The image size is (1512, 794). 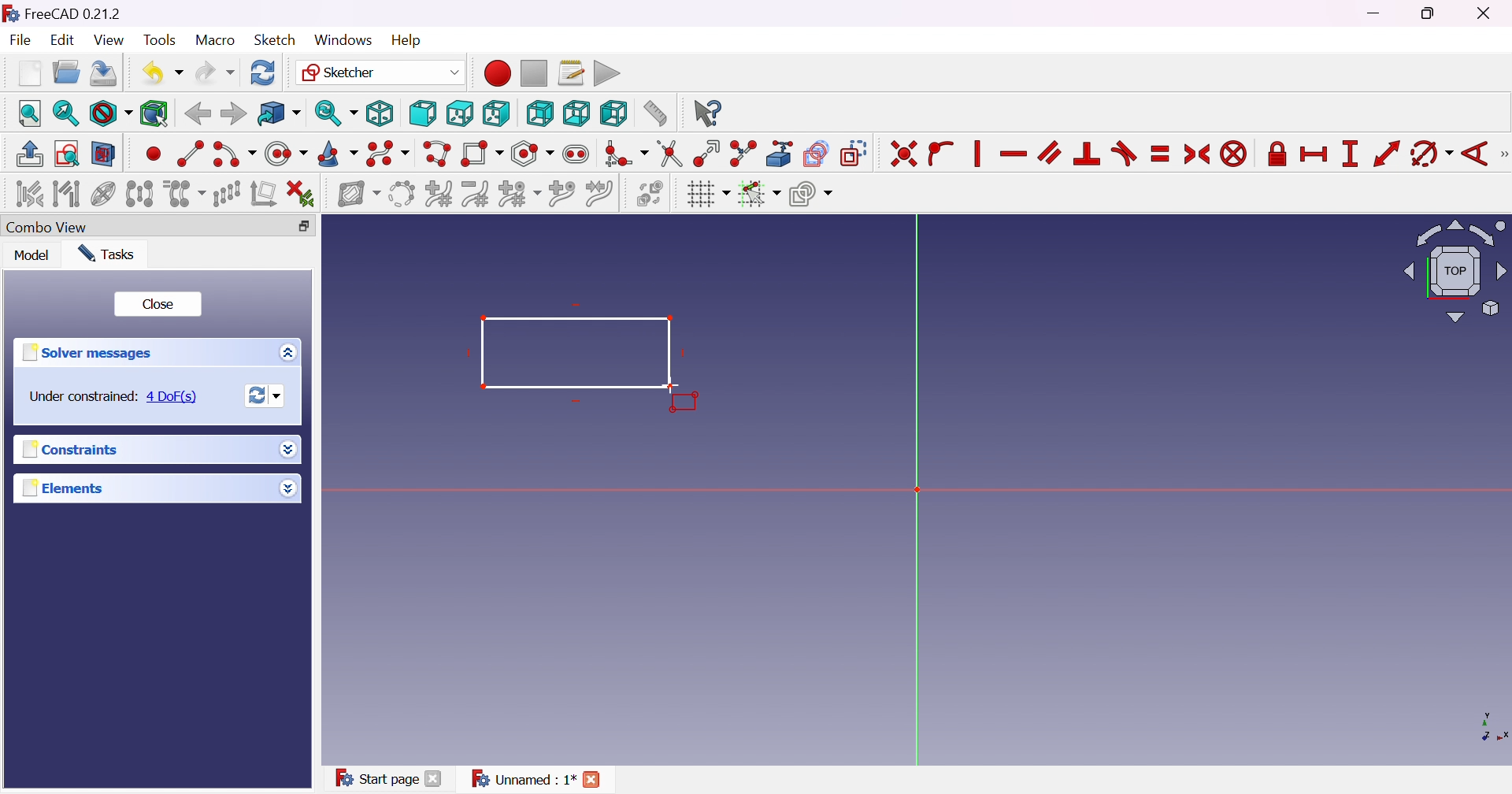 I want to click on Sketcher, so click(x=380, y=72).